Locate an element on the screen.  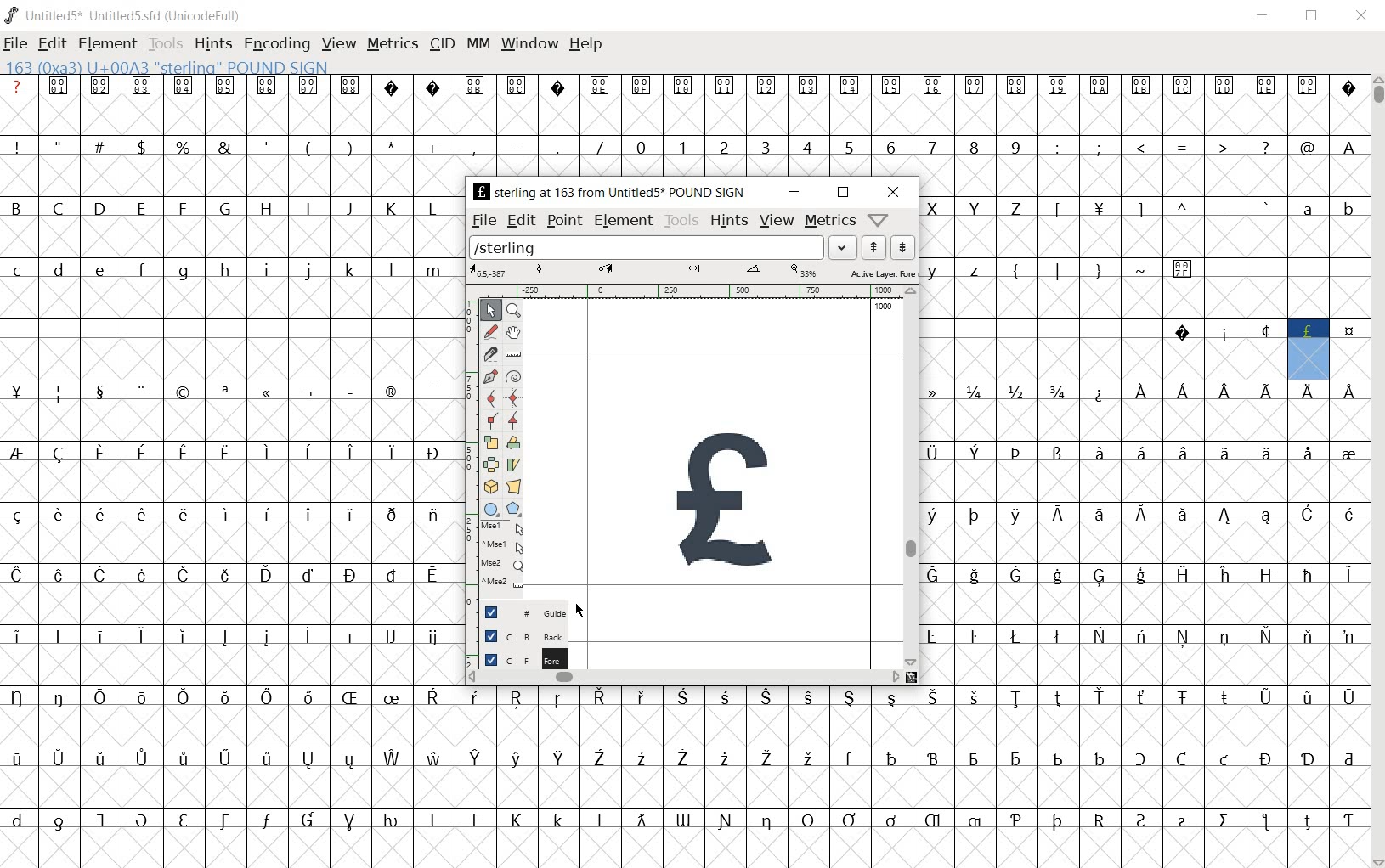
Symbol is located at coordinates (140, 635).